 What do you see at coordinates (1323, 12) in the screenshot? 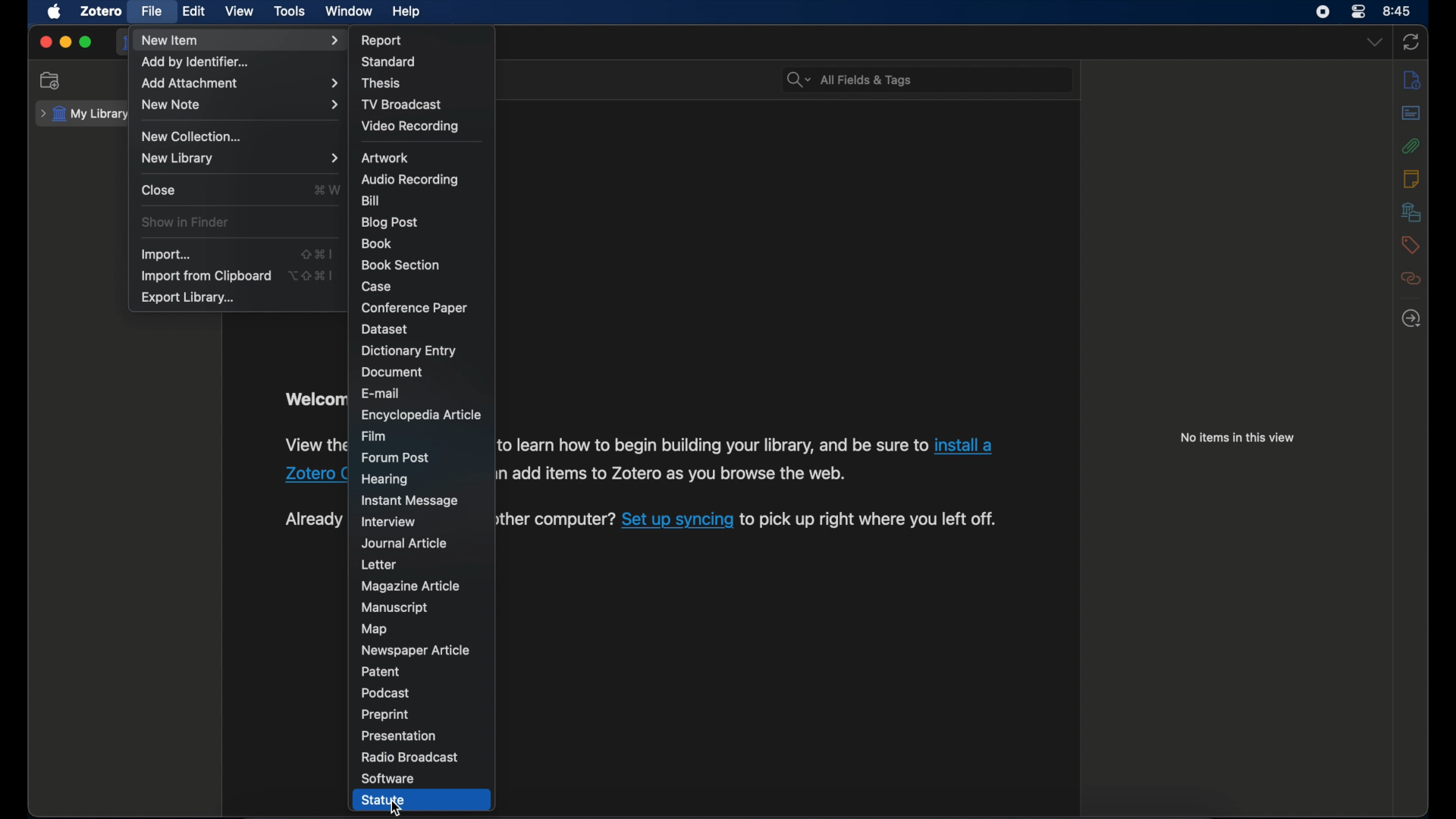
I see `control center` at bounding box center [1323, 12].